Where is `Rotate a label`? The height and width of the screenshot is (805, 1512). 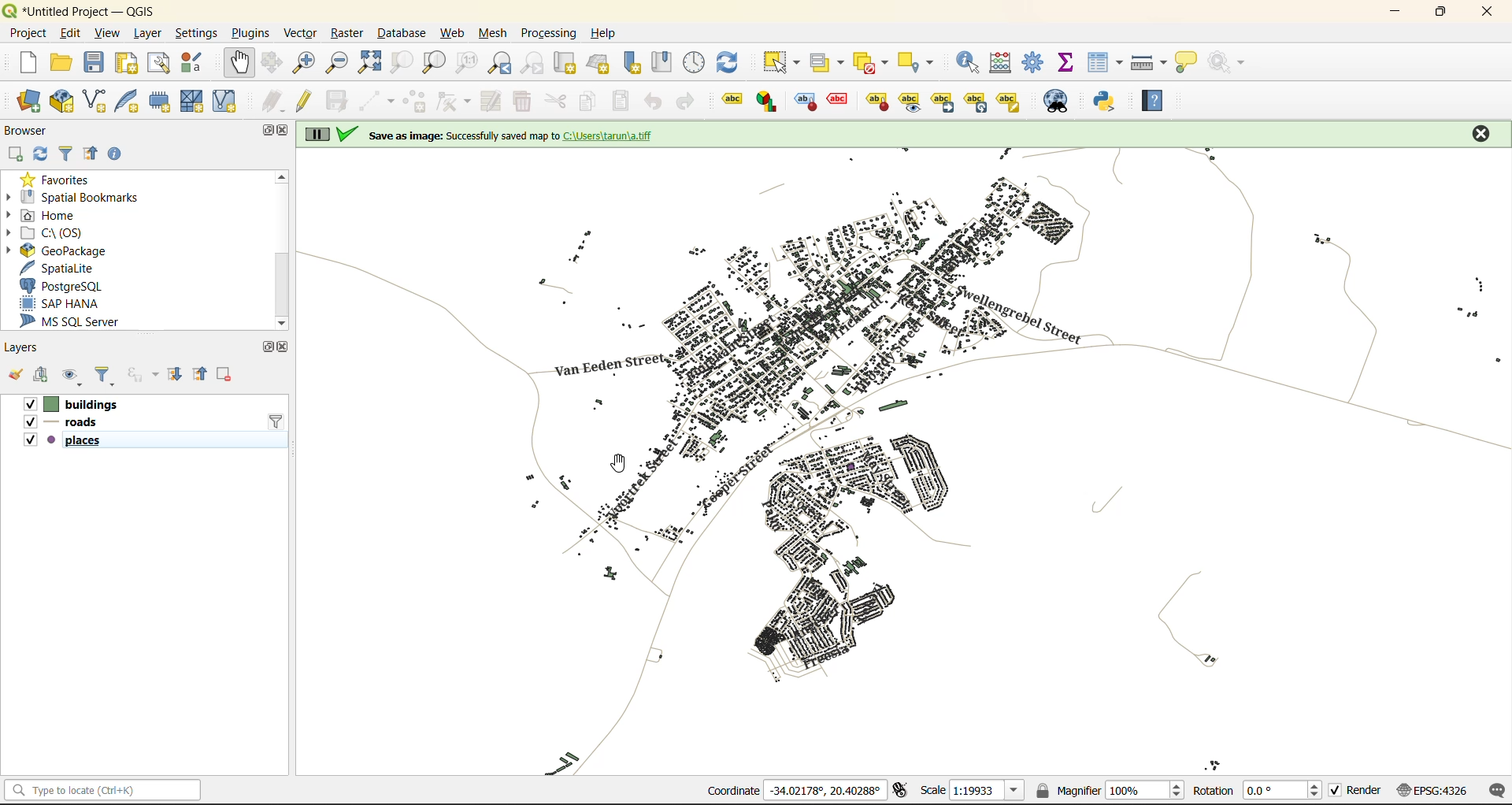
Rotate a label is located at coordinates (976, 100).